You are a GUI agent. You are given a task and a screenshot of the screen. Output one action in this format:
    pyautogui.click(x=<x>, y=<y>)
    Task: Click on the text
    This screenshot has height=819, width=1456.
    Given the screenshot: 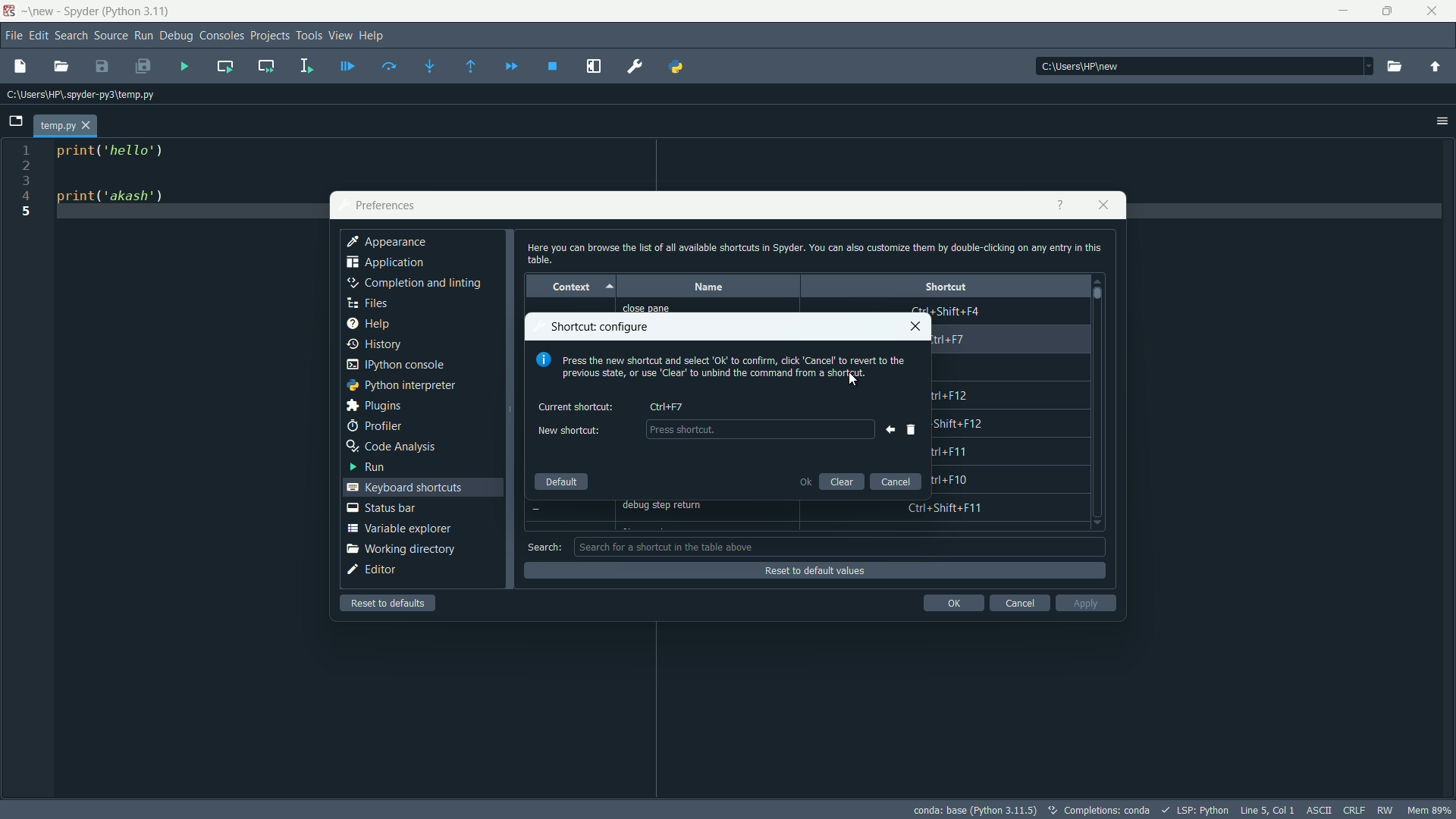 What is the action you would take?
    pyautogui.click(x=1107, y=811)
    